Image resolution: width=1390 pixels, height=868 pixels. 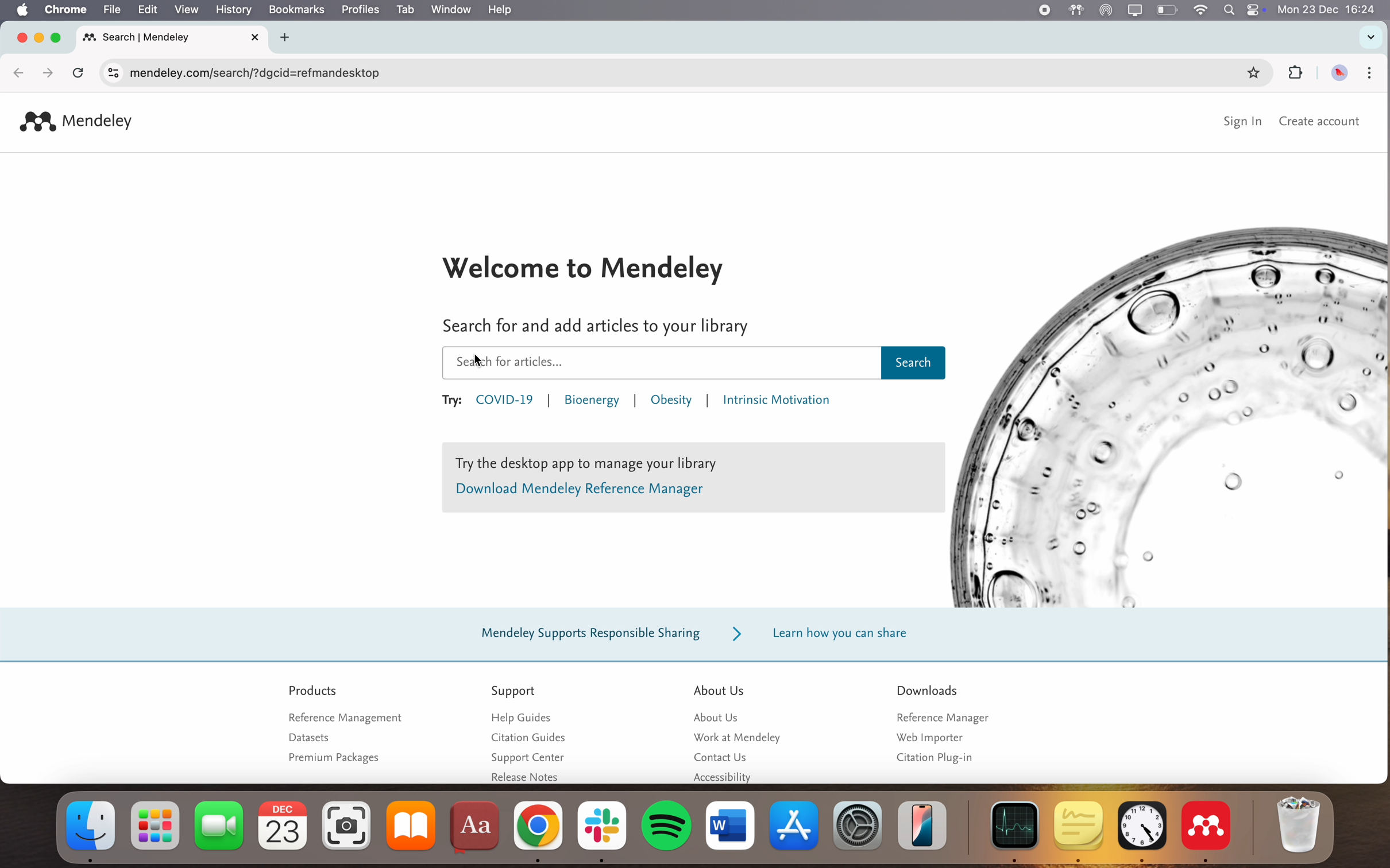 What do you see at coordinates (602, 830) in the screenshot?
I see `Slack` at bounding box center [602, 830].